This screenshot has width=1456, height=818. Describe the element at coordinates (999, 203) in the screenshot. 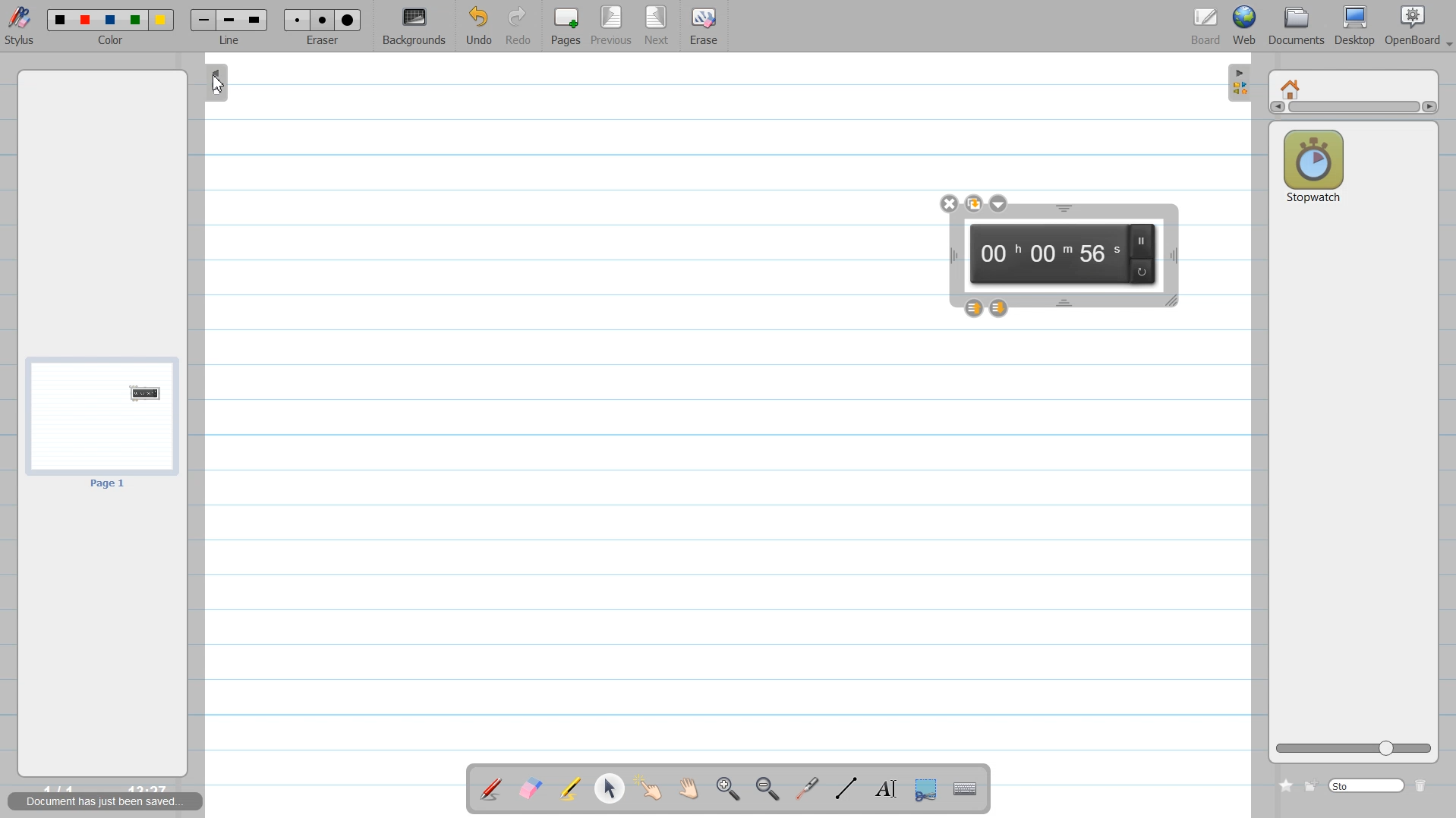

I see `Drop down box` at that location.